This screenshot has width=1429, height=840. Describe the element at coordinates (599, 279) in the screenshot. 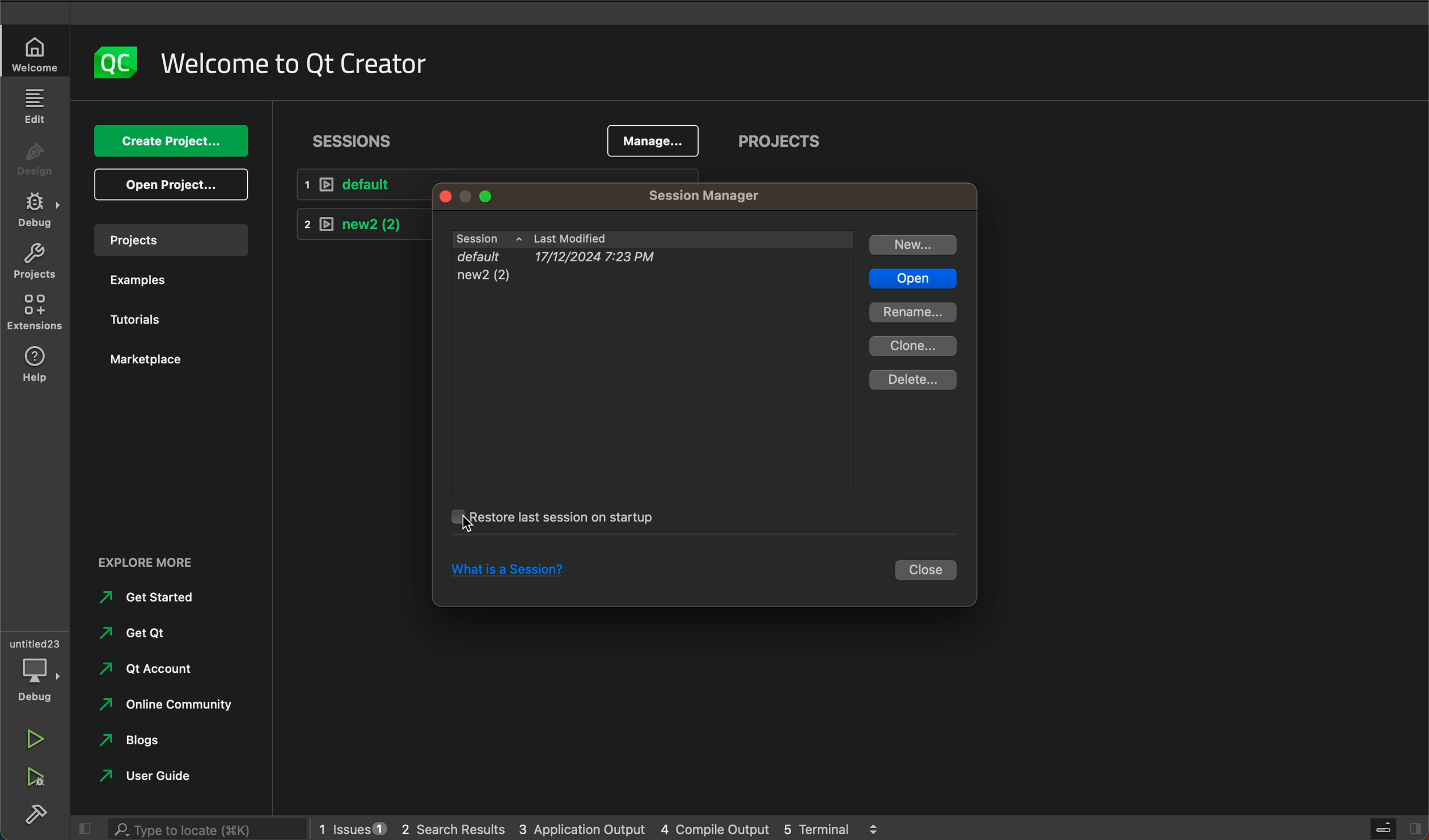

I see `new2` at that location.